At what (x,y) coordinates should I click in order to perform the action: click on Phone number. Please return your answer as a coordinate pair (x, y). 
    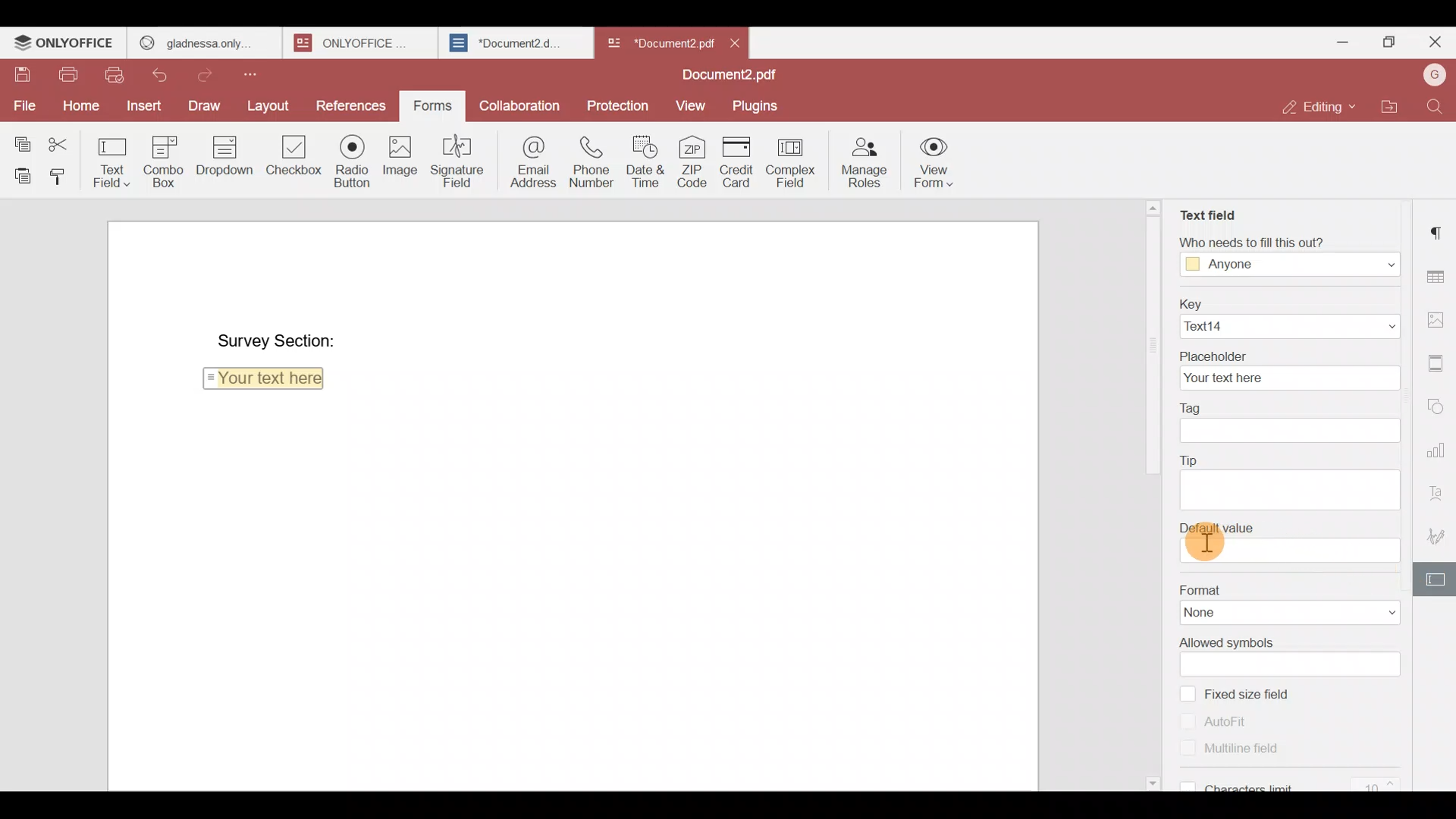
    Looking at the image, I should click on (593, 161).